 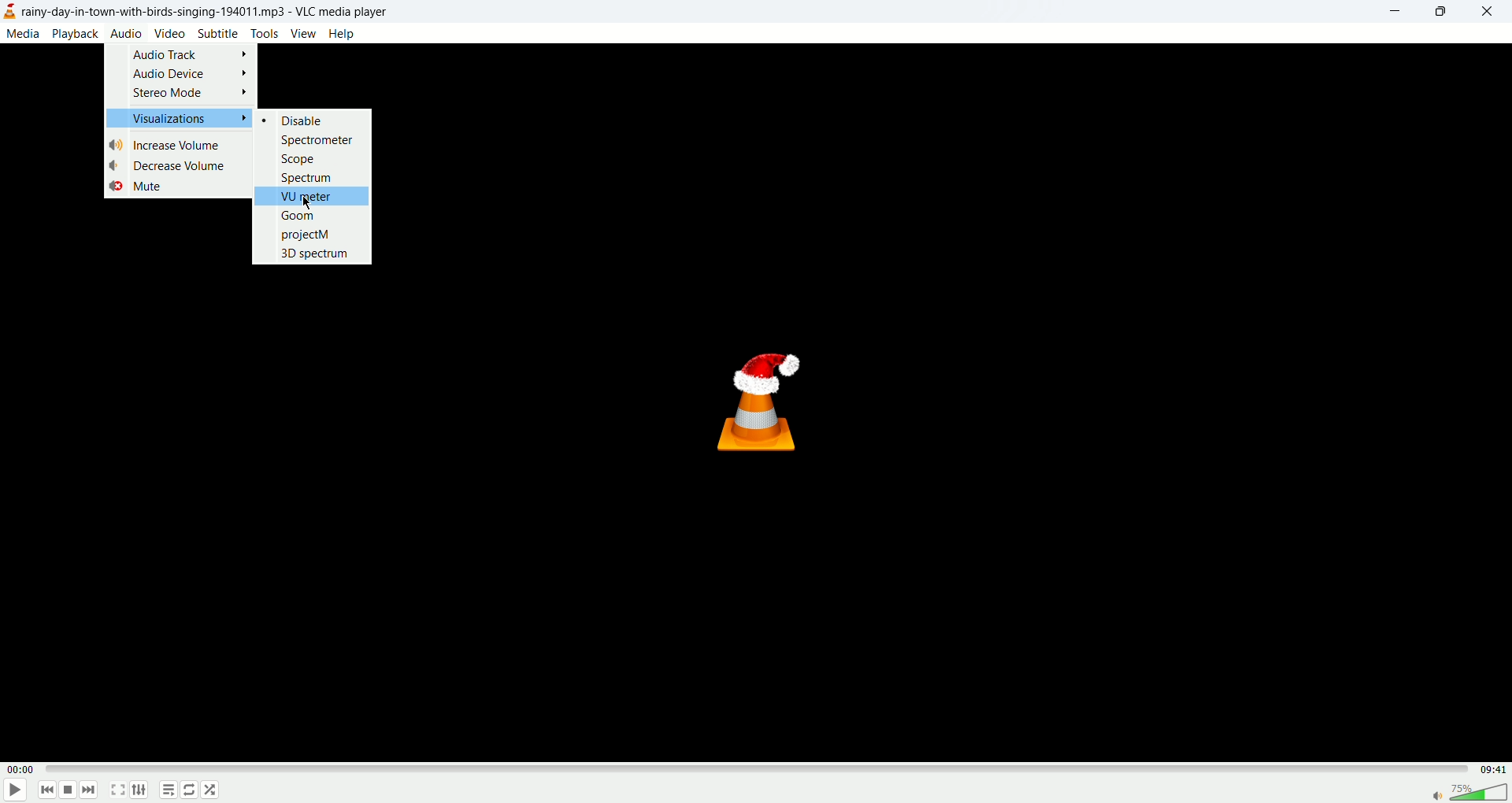 I want to click on spectrum, so click(x=308, y=178).